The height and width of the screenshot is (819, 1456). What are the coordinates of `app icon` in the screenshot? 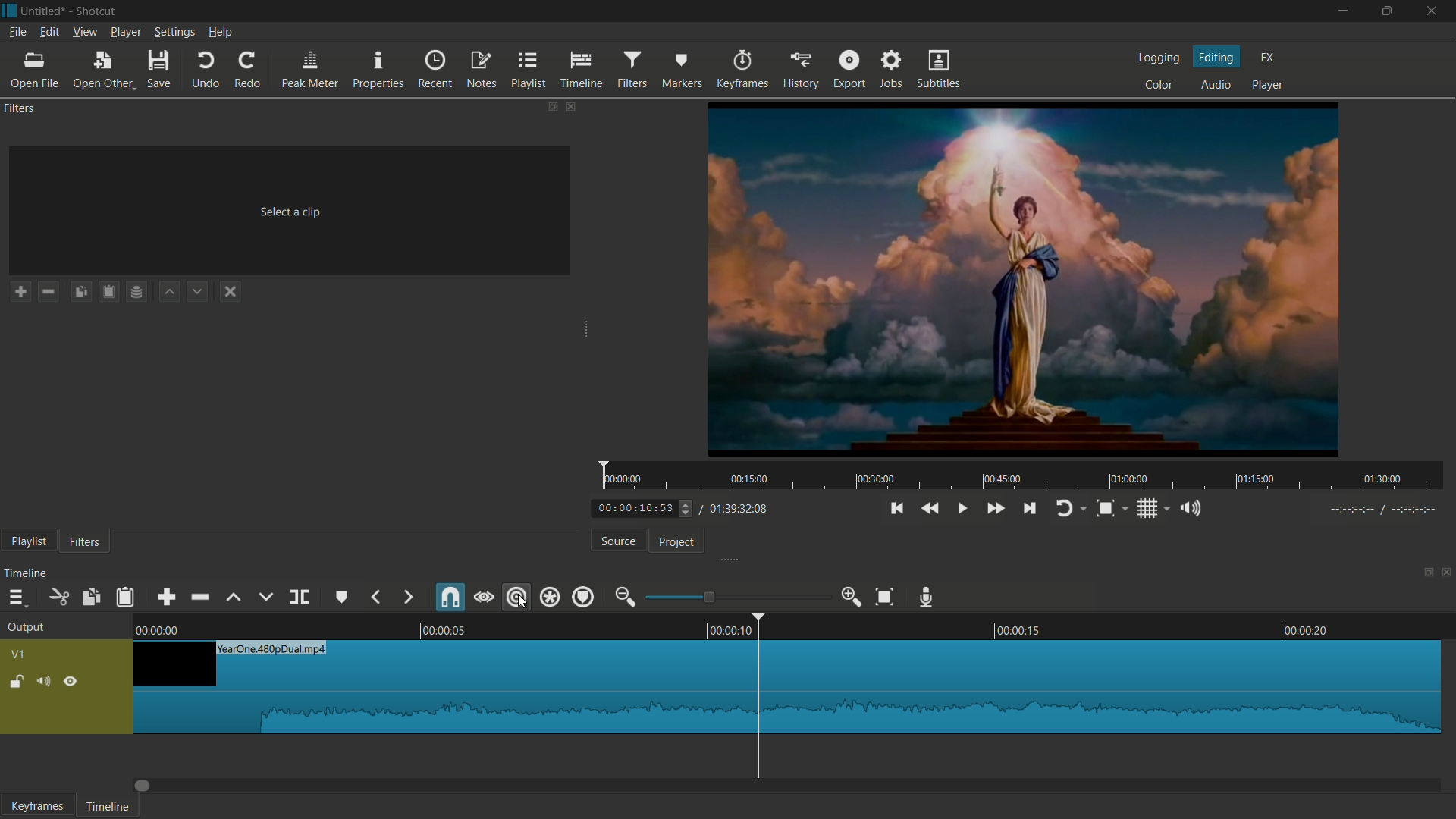 It's located at (10, 11).